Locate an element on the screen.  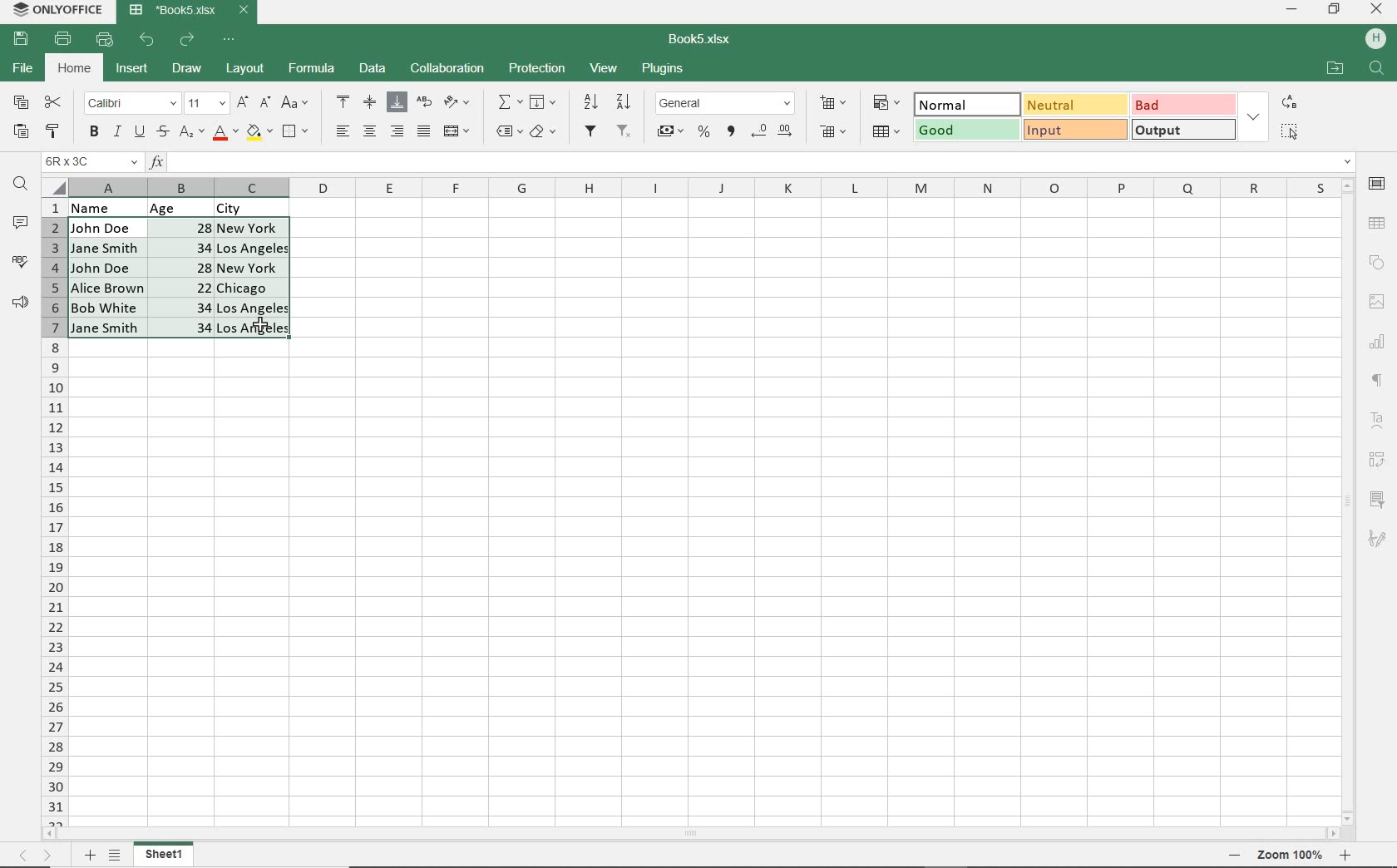
VIEW is located at coordinates (605, 67).